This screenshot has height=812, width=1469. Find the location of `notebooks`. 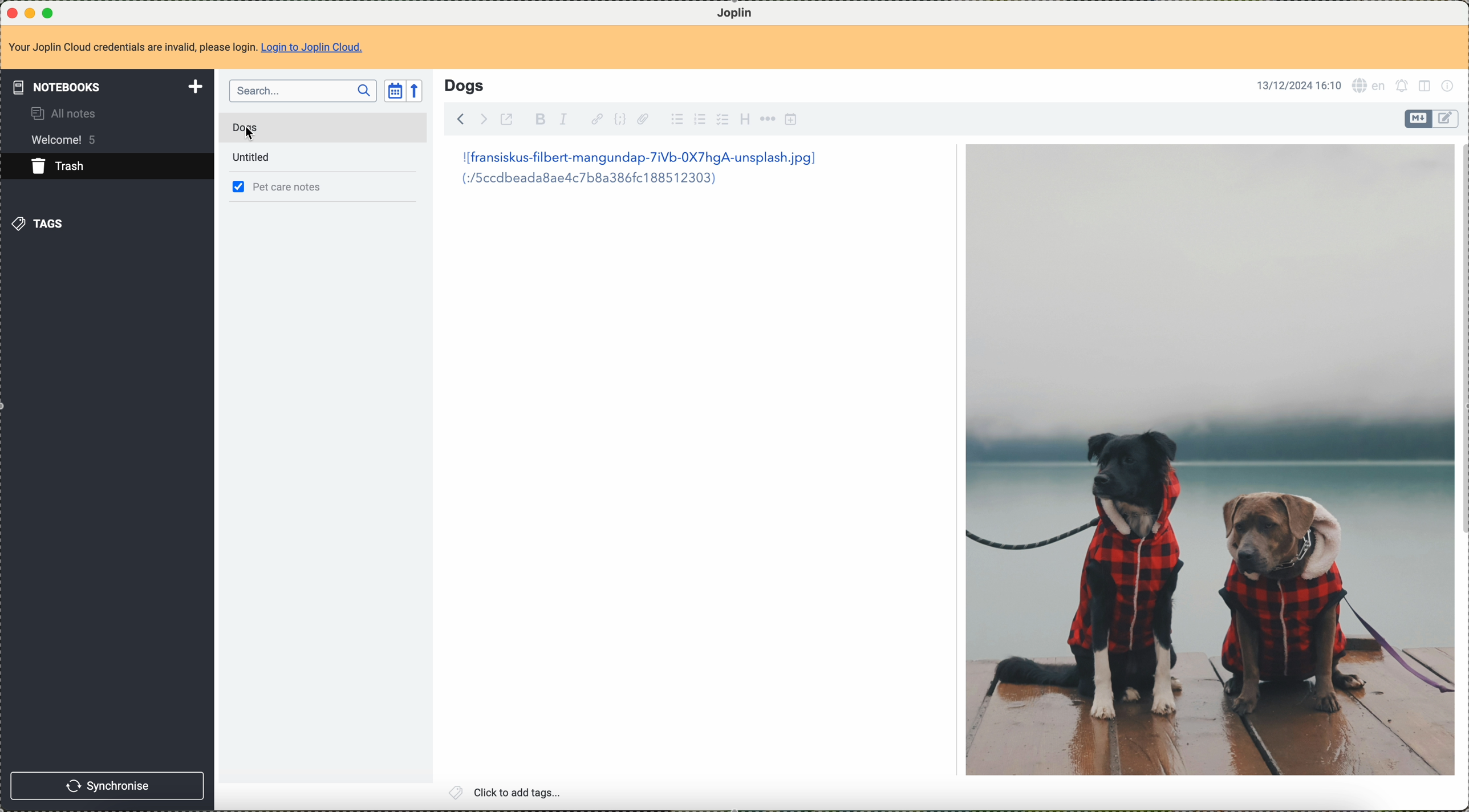

notebooks is located at coordinates (107, 85).